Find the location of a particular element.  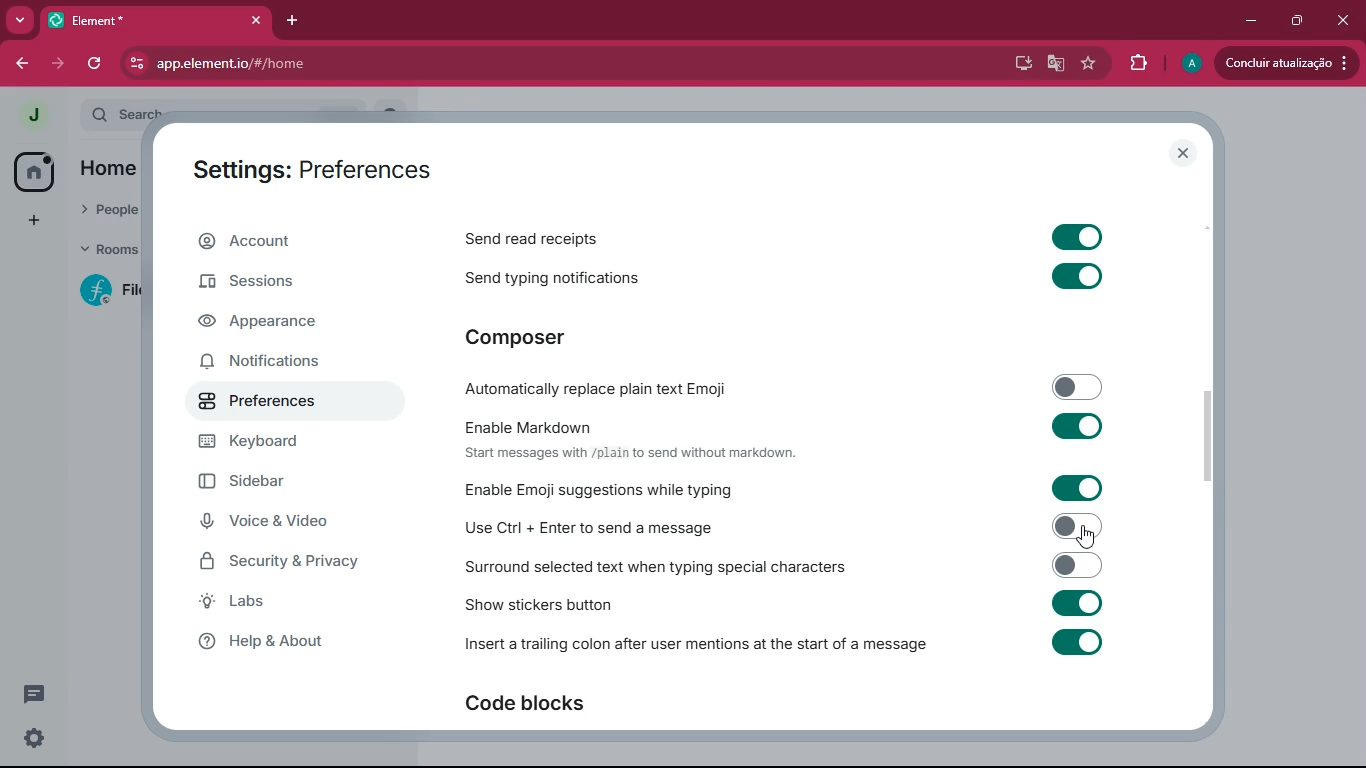

scroll bar is located at coordinates (1210, 439).